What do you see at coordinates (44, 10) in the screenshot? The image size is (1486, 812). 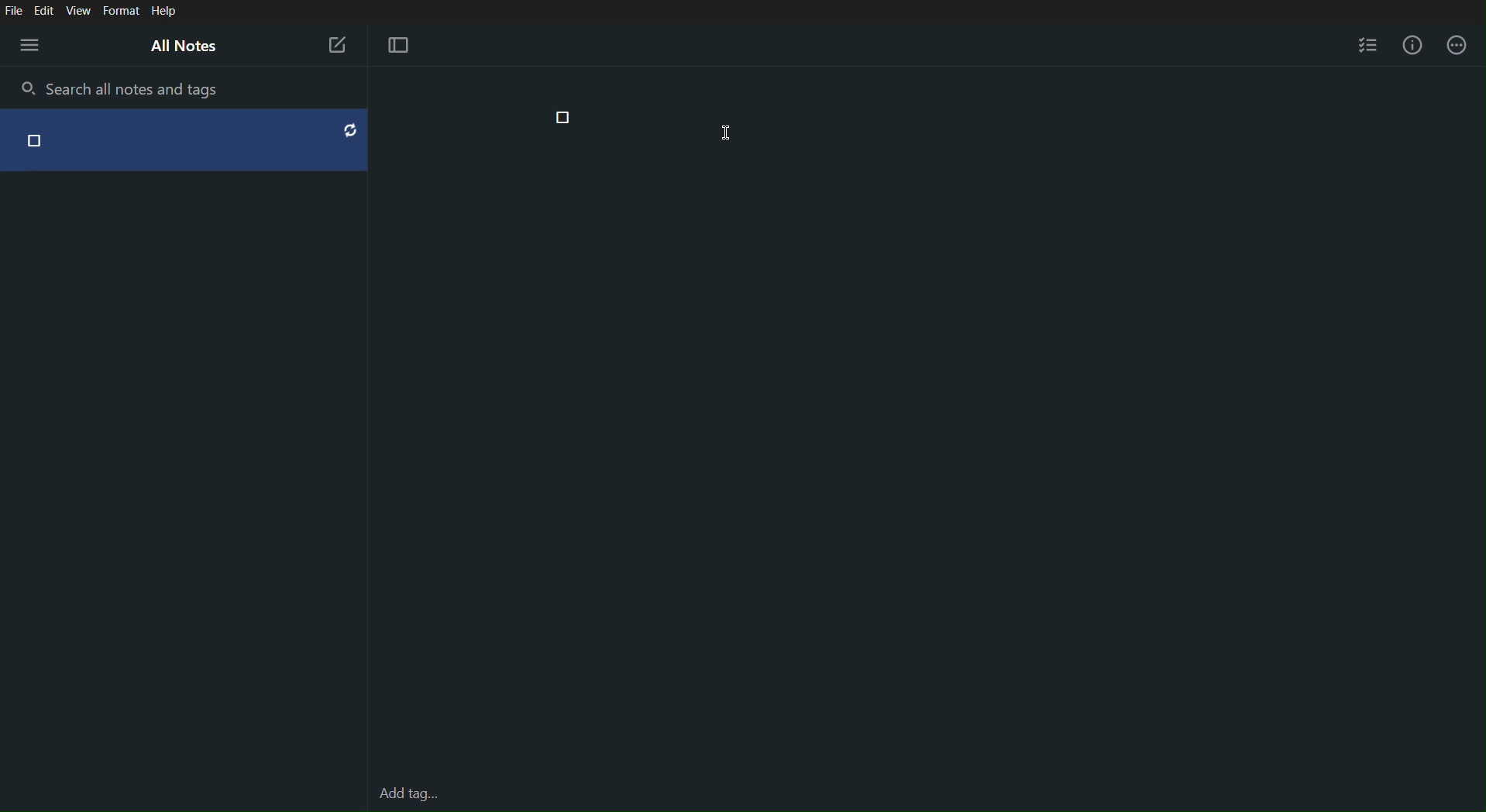 I see `Edit` at bounding box center [44, 10].